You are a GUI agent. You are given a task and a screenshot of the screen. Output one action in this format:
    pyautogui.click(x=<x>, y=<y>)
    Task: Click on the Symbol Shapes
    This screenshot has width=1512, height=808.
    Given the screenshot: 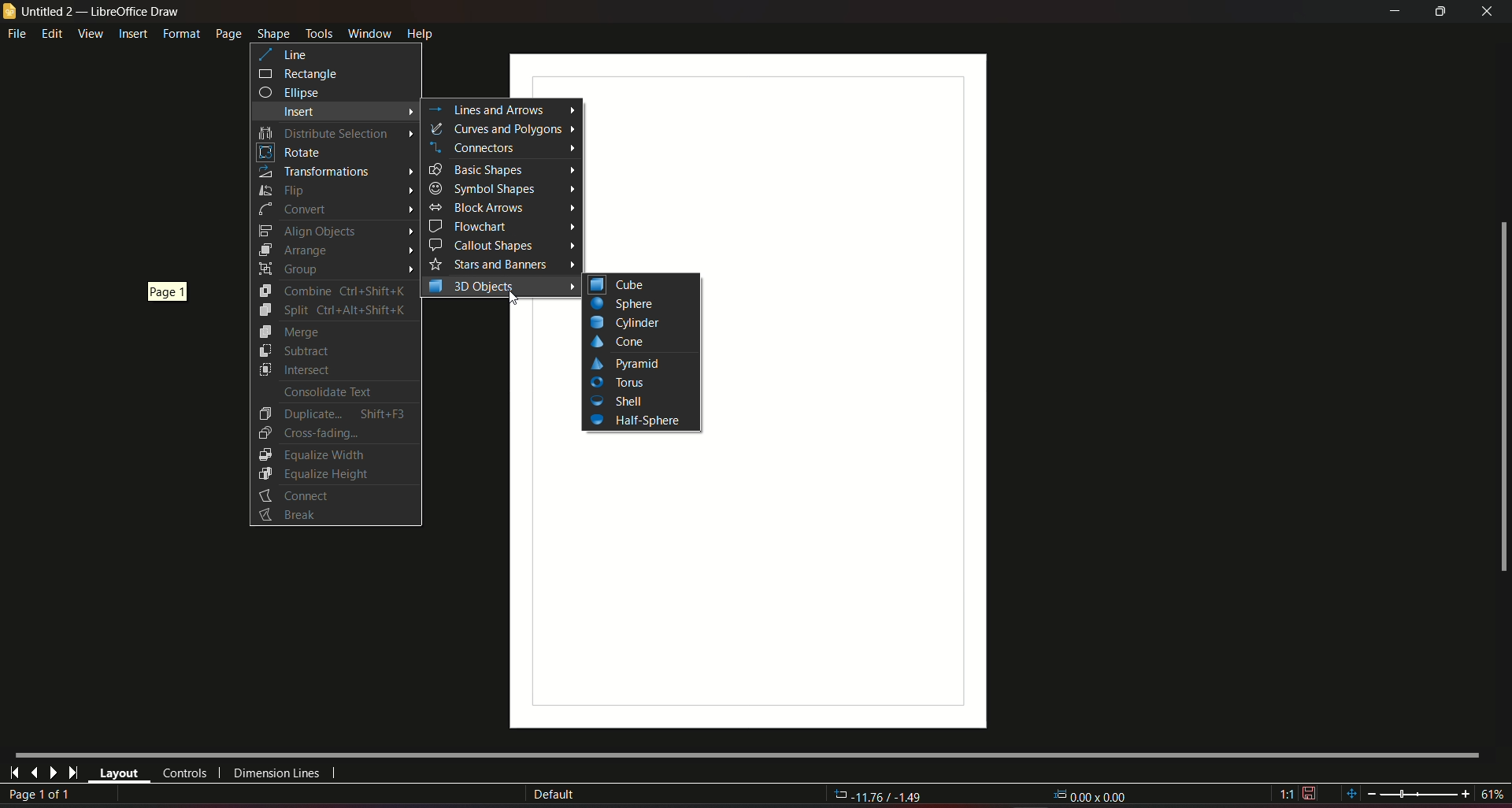 What is the action you would take?
    pyautogui.click(x=482, y=189)
    